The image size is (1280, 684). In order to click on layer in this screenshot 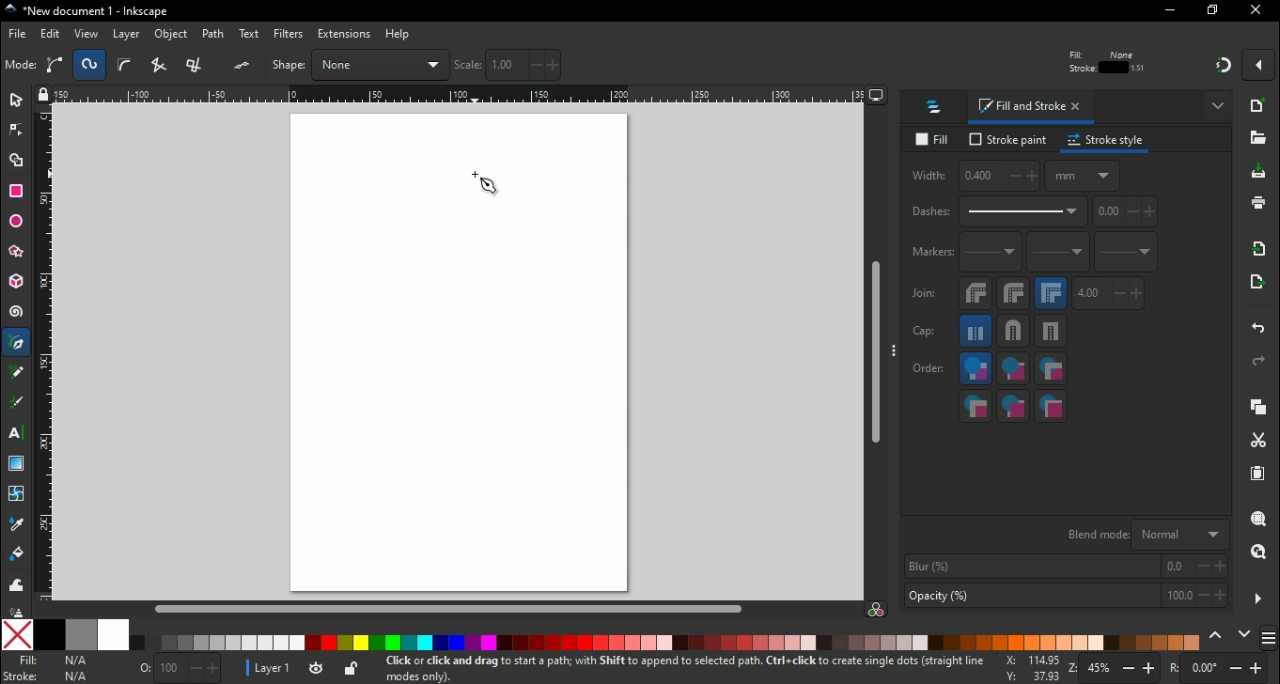, I will do `click(127, 35)`.